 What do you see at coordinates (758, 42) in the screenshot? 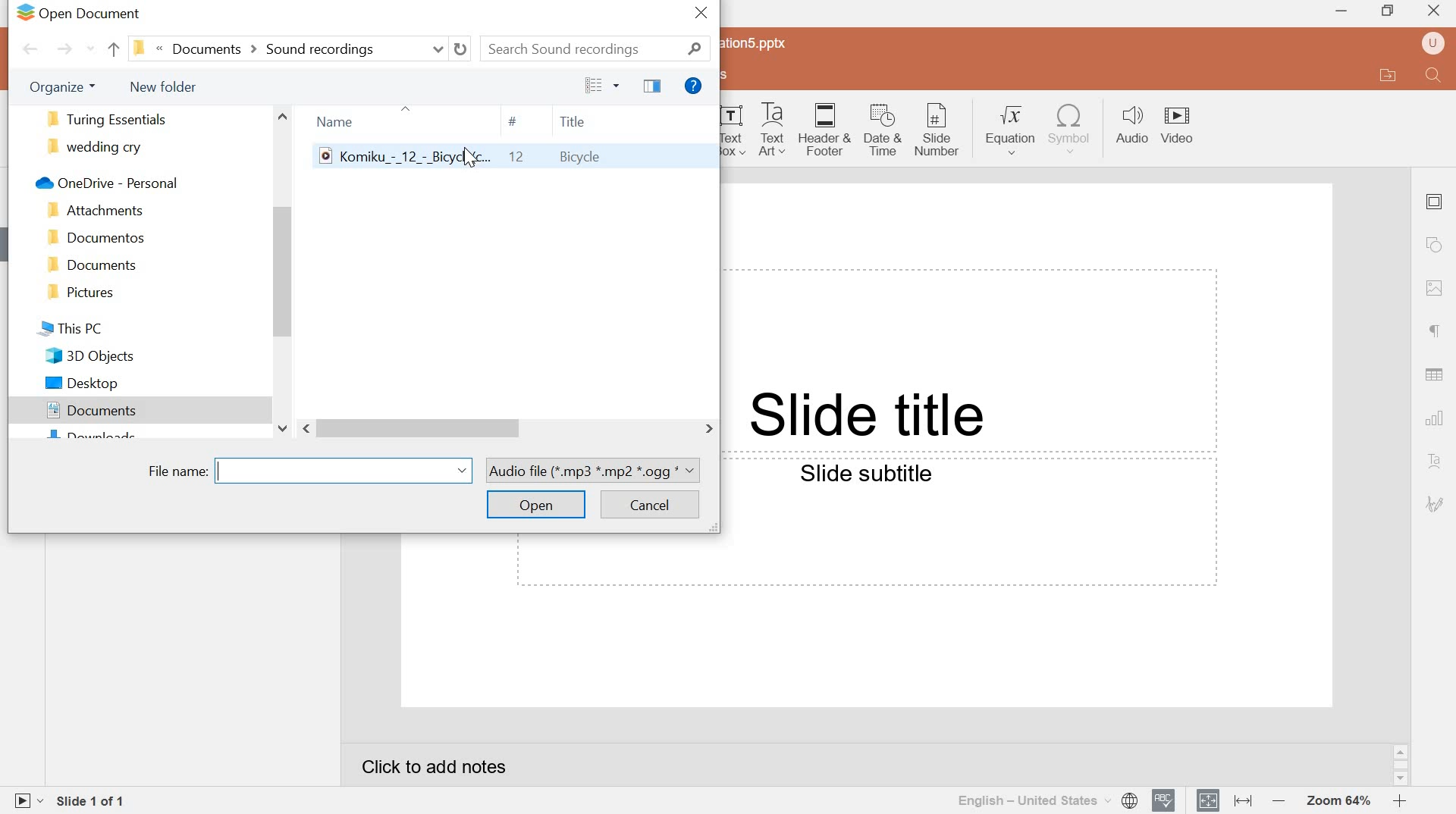
I see `Presentation5.pptx` at bounding box center [758, 42].